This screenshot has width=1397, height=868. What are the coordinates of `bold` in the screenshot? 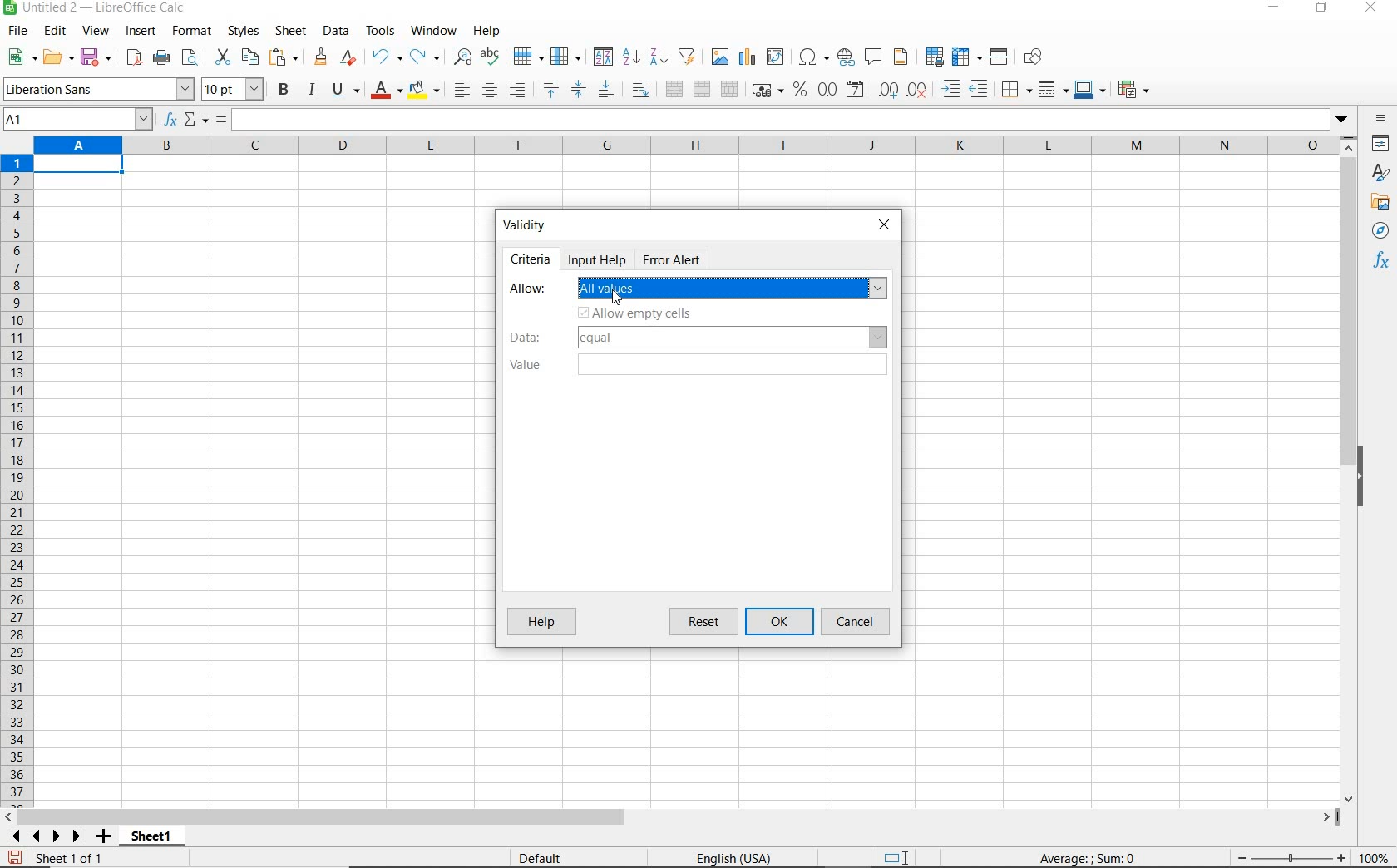 It's located at (285, 89).